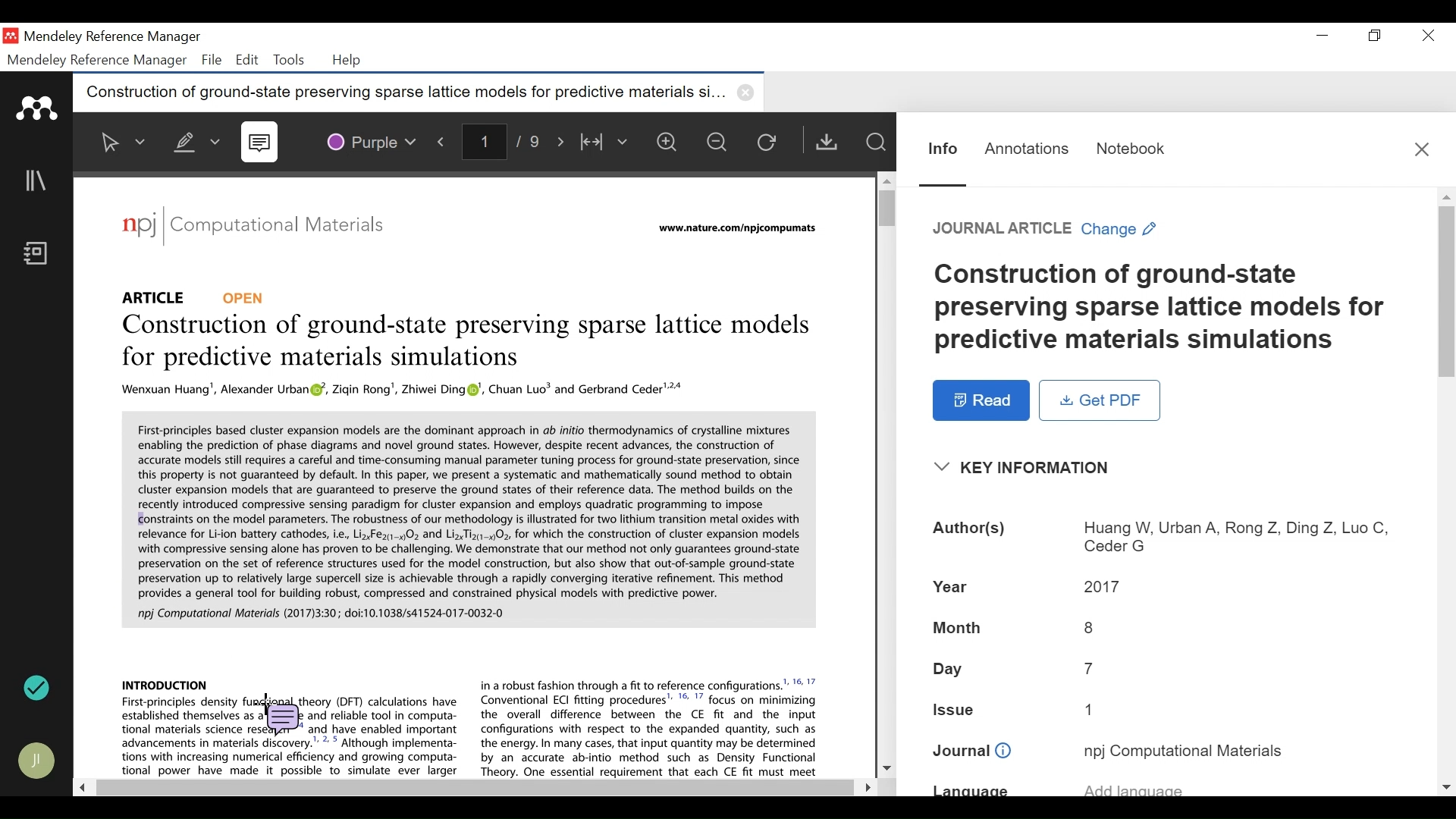  What do you see at coordinates (281, 715) in the screenshot?
I see `Sticky note` at bounding box center [281, 715].